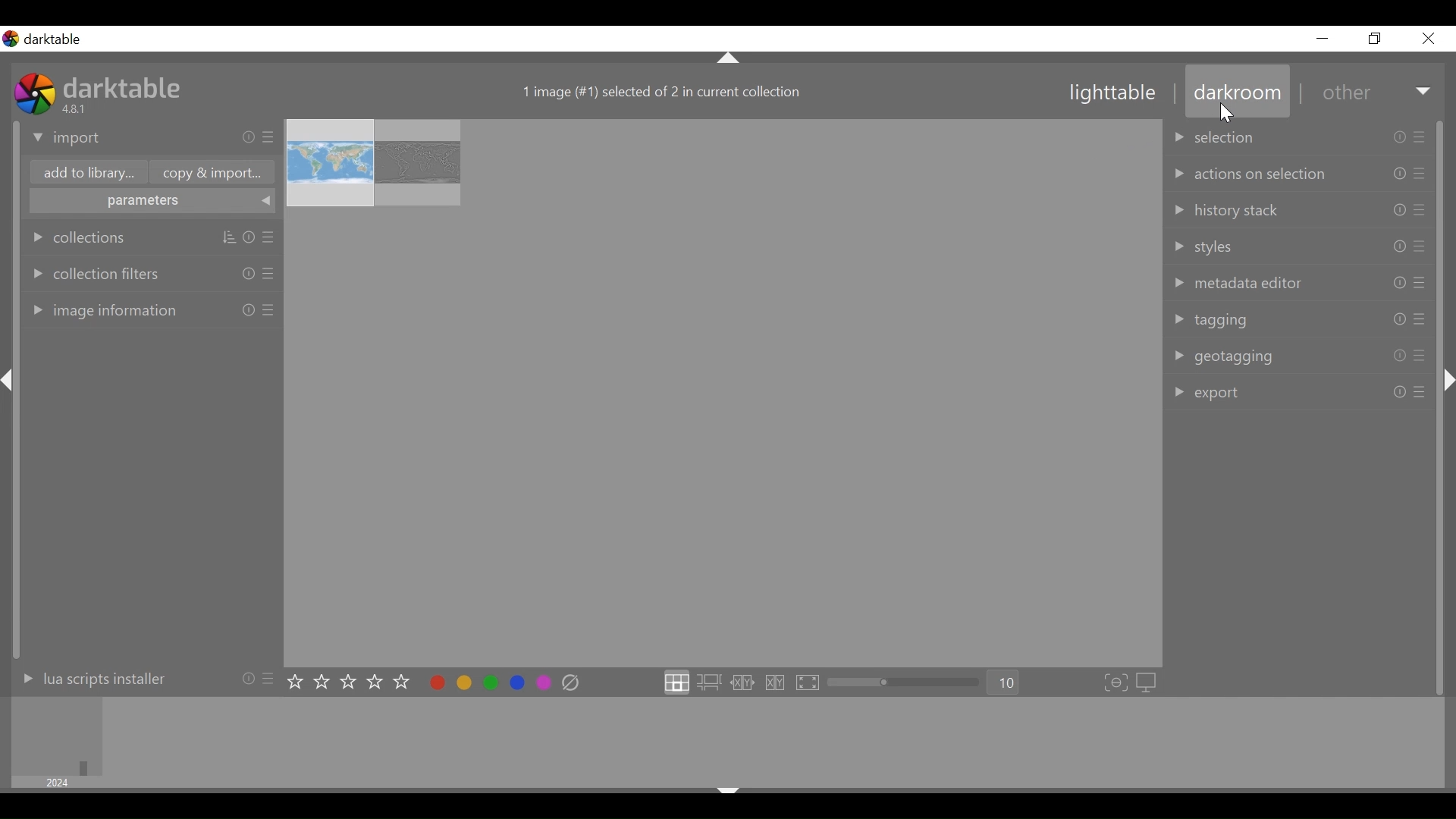  What do you see at coordinates (1304, 210) in the screenshot?
I see `history stack` at bounding box center [1304, 210].